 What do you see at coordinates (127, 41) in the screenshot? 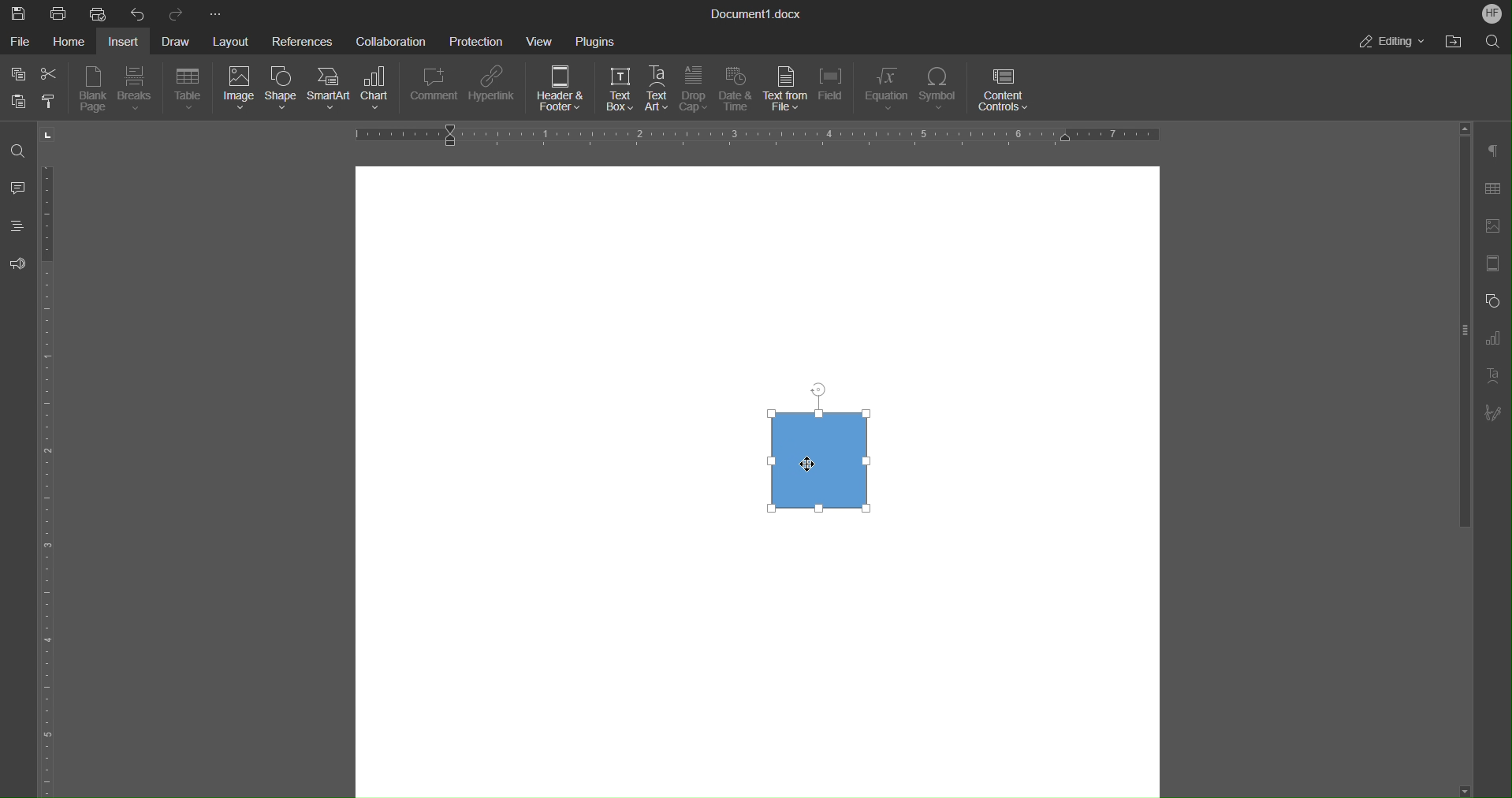
I see `Insert` at bounding box center [127, 41].